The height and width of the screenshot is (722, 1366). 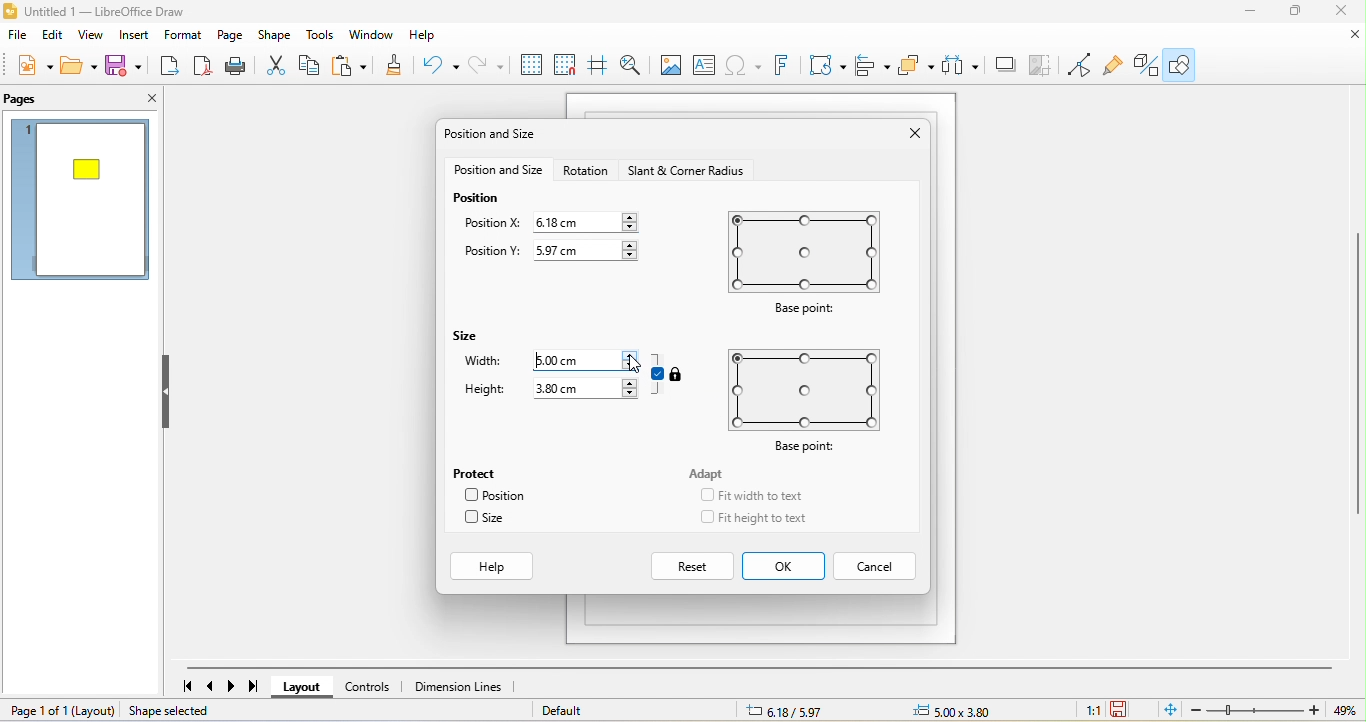 What do you see at coordinates (631, 364) in the screenshot?
I see `cursor movement` at bounding box center [631, 364].